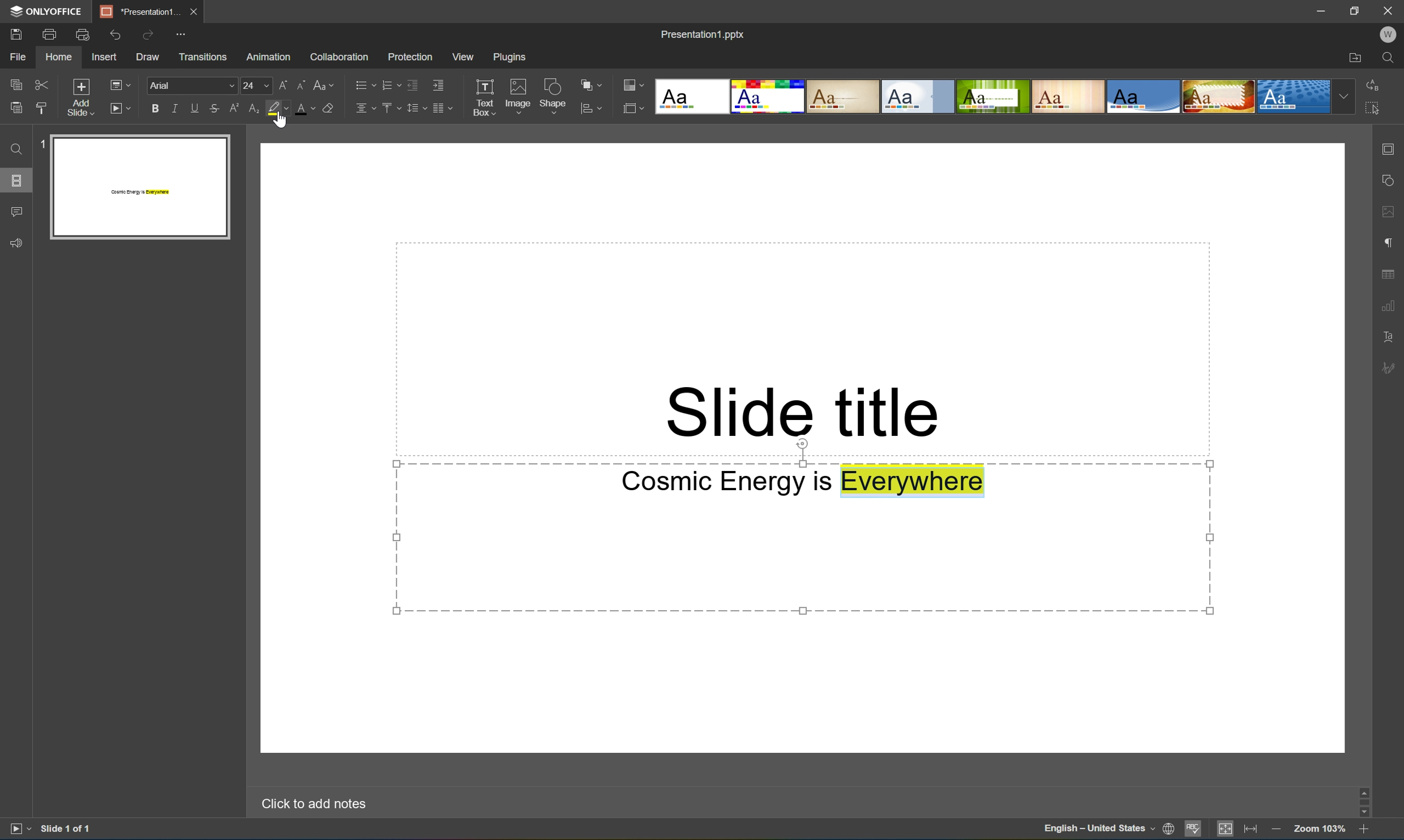 Image resolution: width=1404 pixels, height=840 pixels. I want to click on Draw, so click(148, 56).